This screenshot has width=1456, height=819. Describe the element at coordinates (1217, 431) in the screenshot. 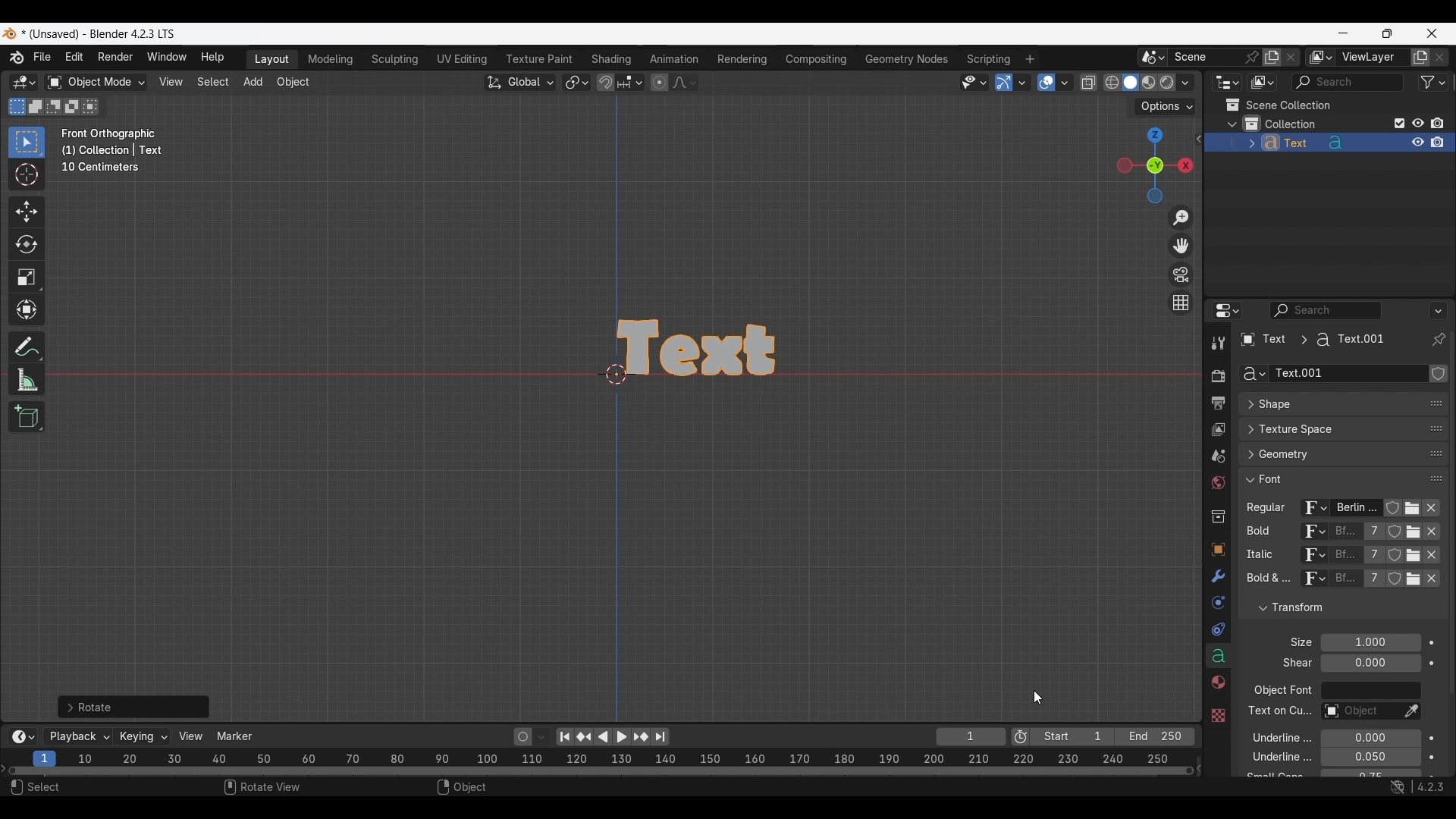

I see `View layer` at that location.